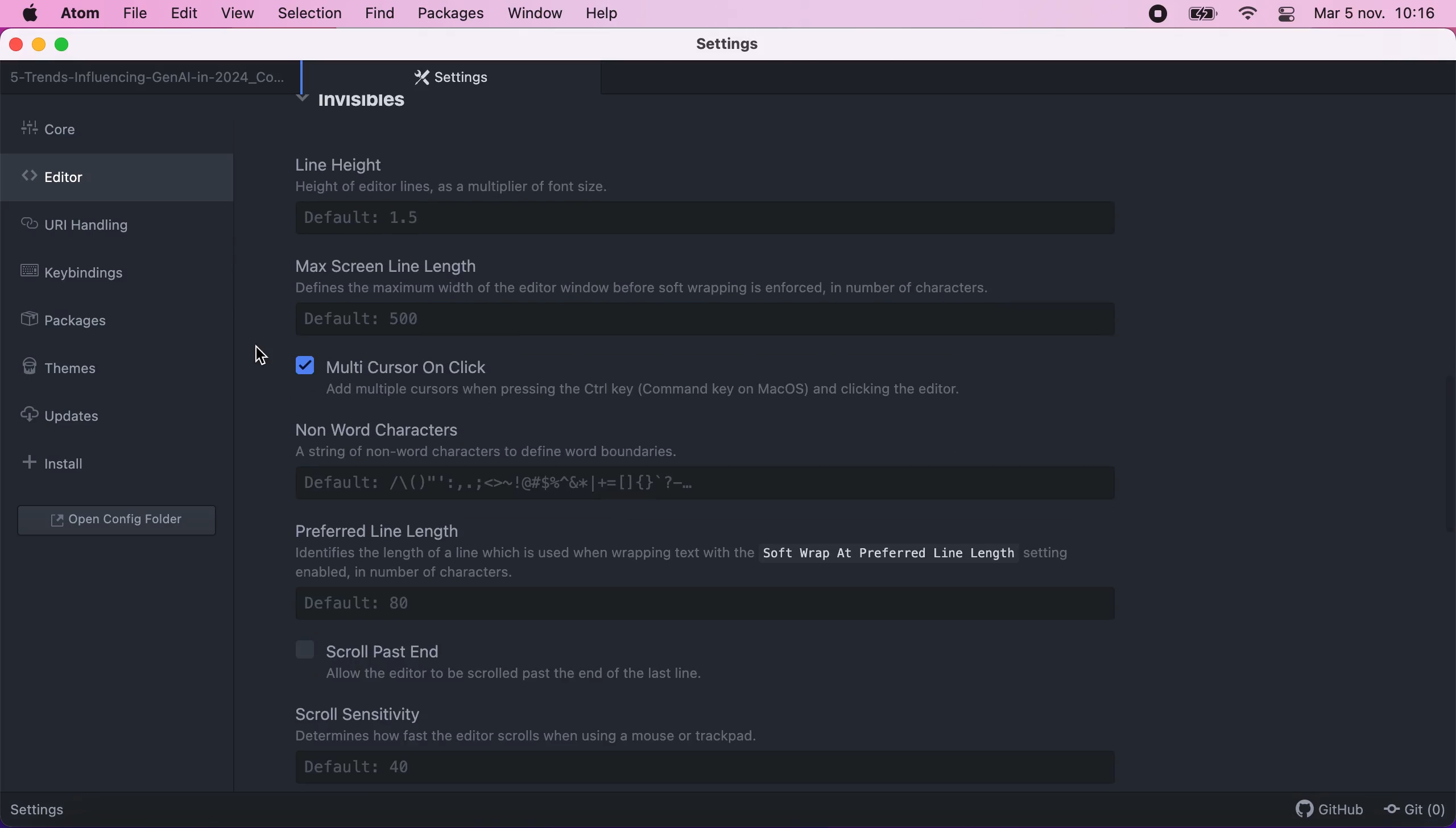  What do you see at coordinates (134, 14) in the screenshot?
I see `file` at bounding box center [134, 14].